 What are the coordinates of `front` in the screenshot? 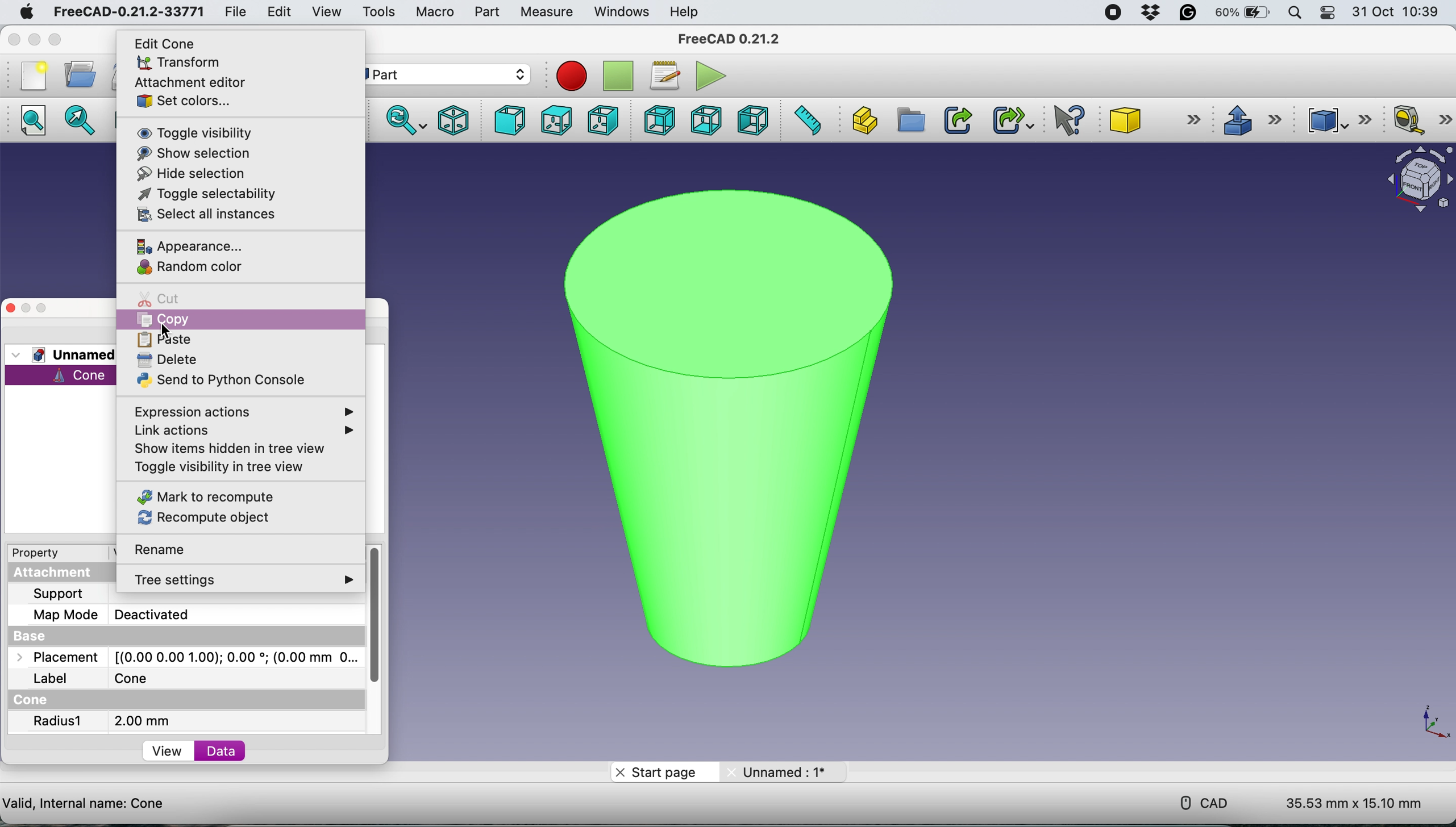 It's located at (507, 121).